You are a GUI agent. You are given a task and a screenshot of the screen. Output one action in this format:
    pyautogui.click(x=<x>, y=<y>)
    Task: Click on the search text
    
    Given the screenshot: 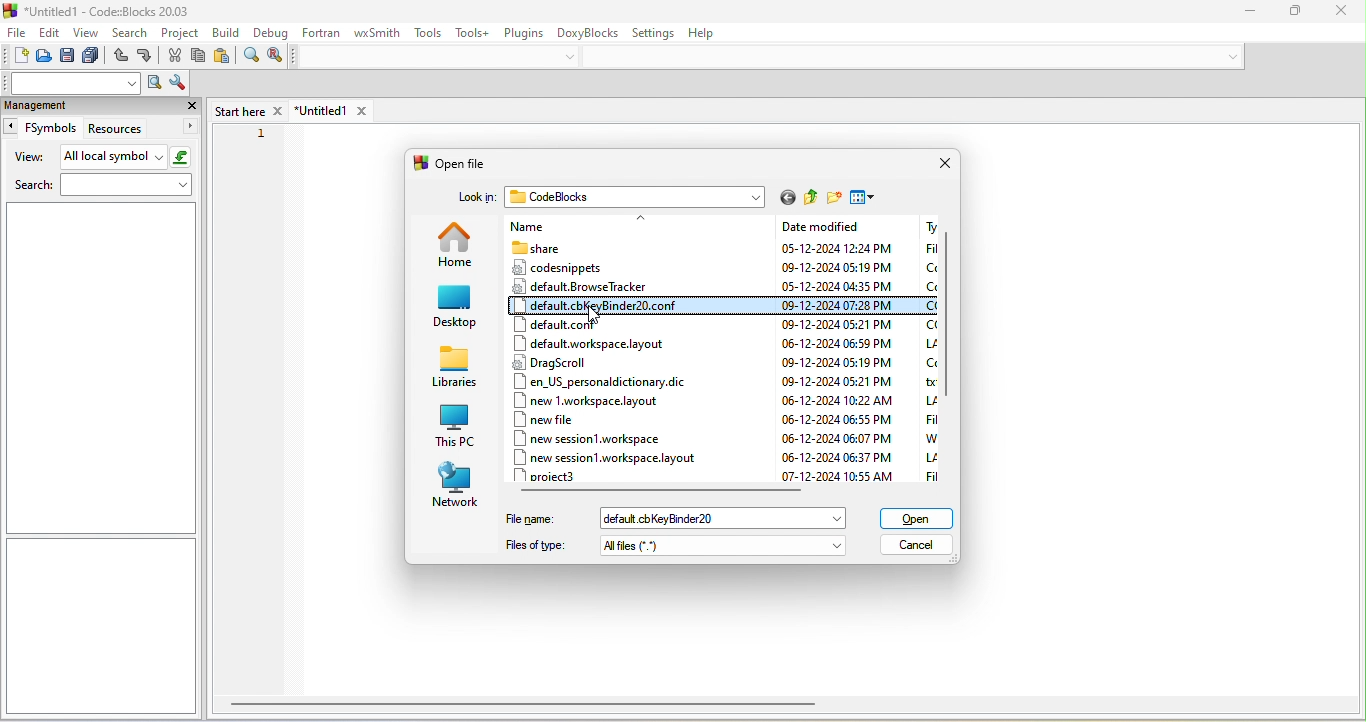 What is the action you would take?
    pyautogui.click(x=70, y=82)
    